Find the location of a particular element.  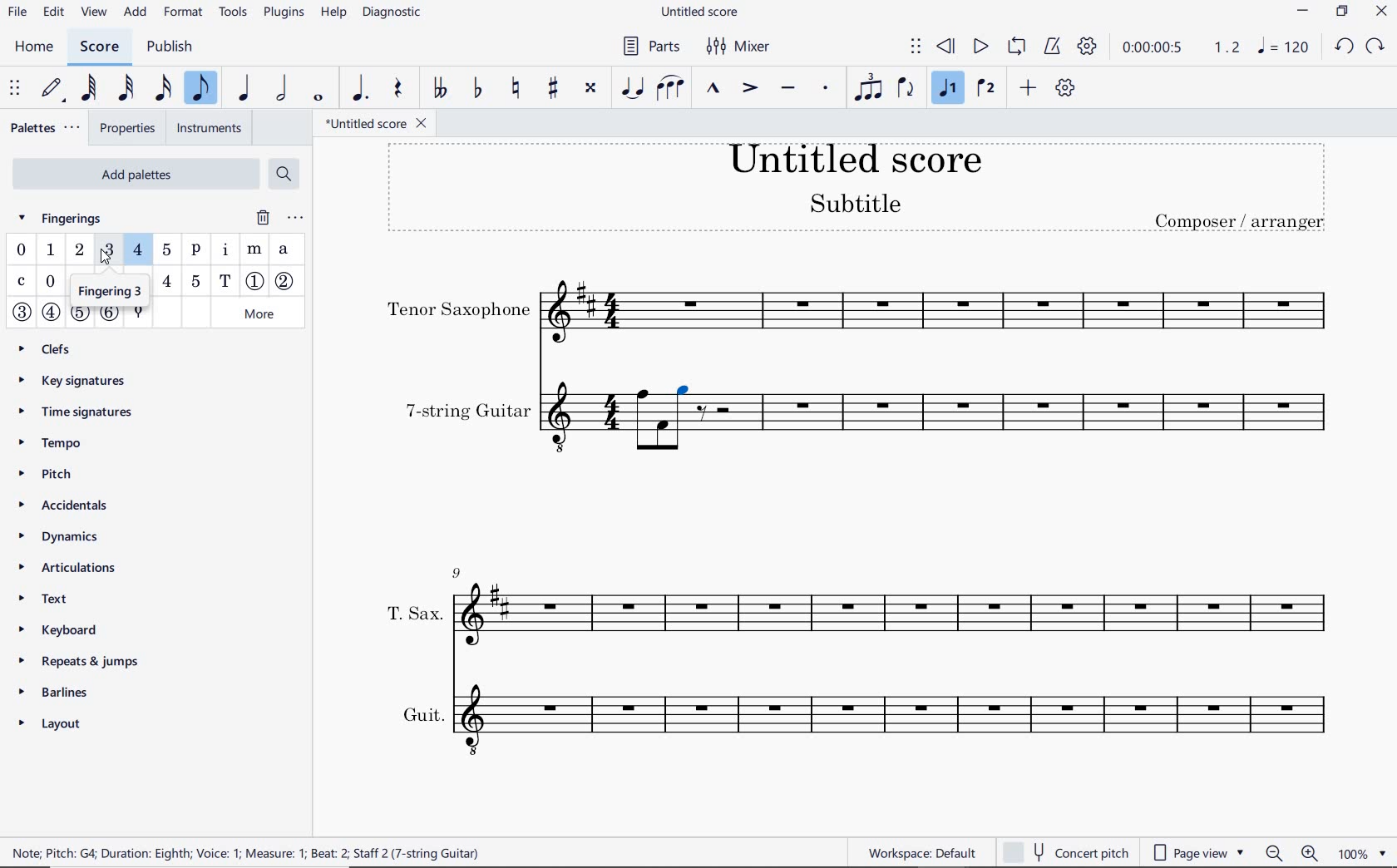

VOICE 1 is located at coordinates (945, 89).